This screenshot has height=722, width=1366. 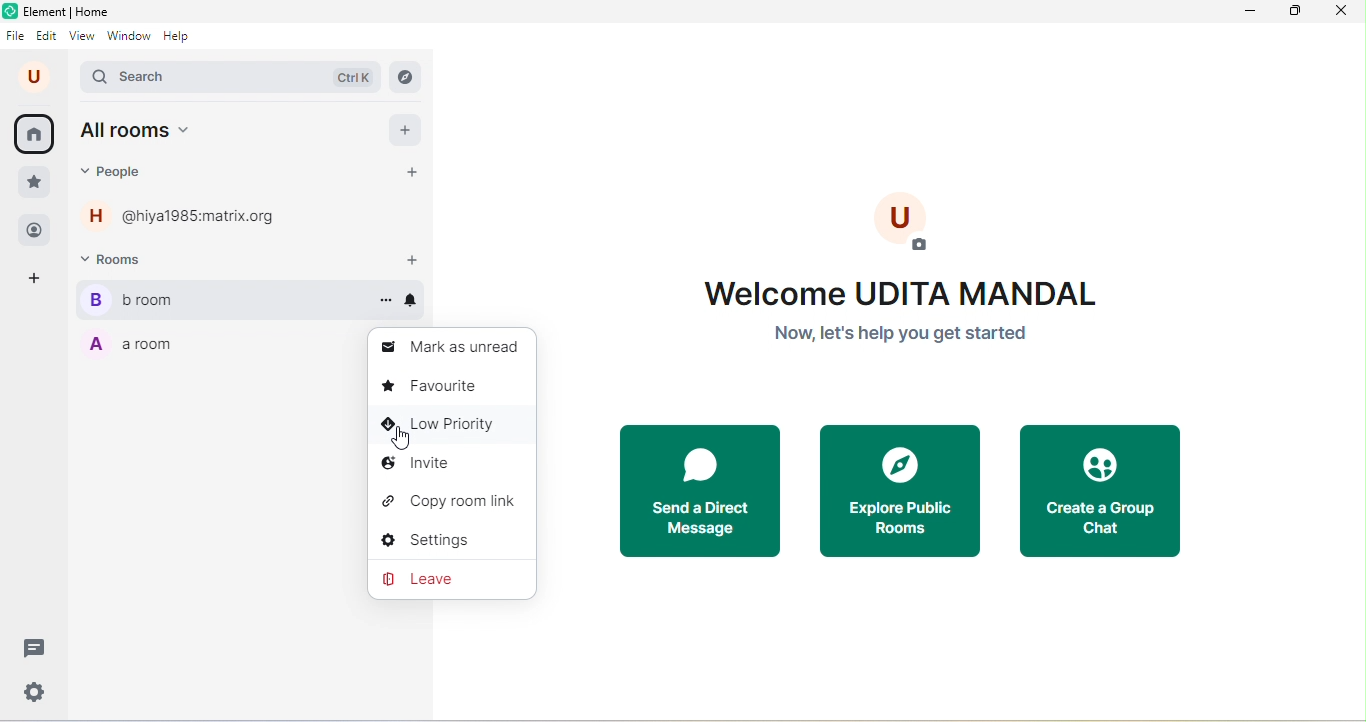 I want to click on people, so click(x=114, y=172).